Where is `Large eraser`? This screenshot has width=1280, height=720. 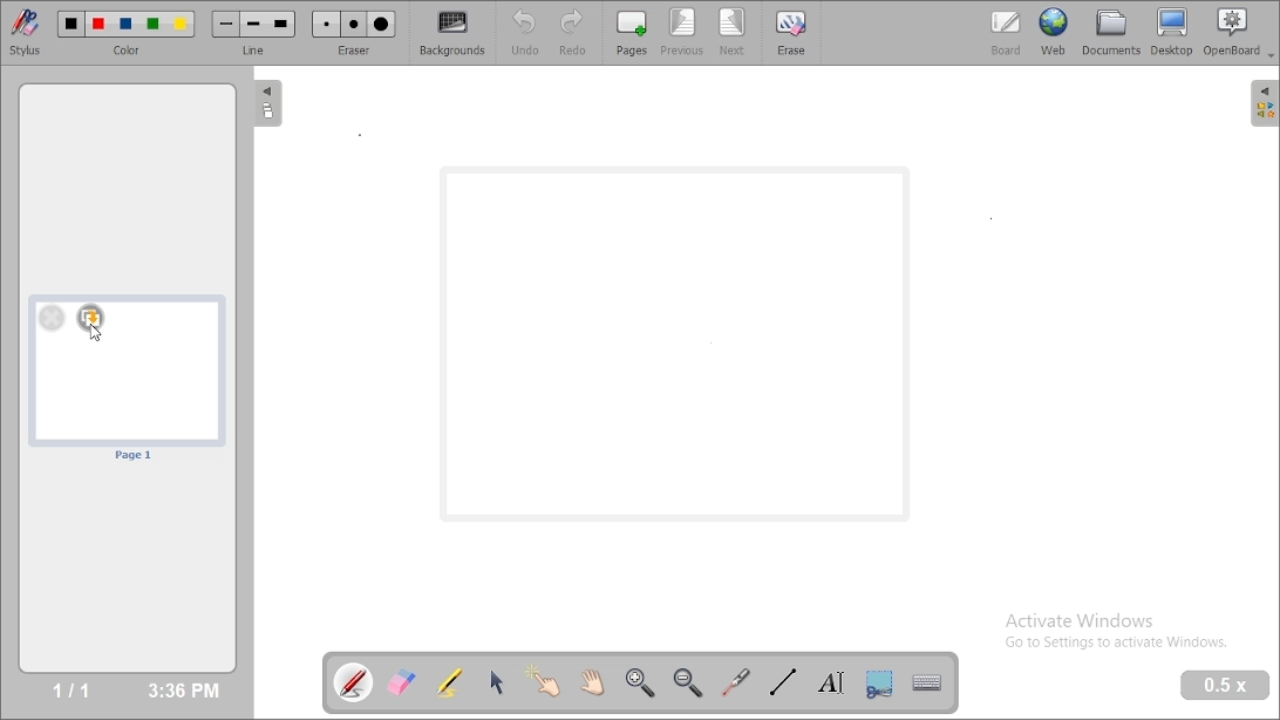 Large eraser is located at coordinates (382, 25).